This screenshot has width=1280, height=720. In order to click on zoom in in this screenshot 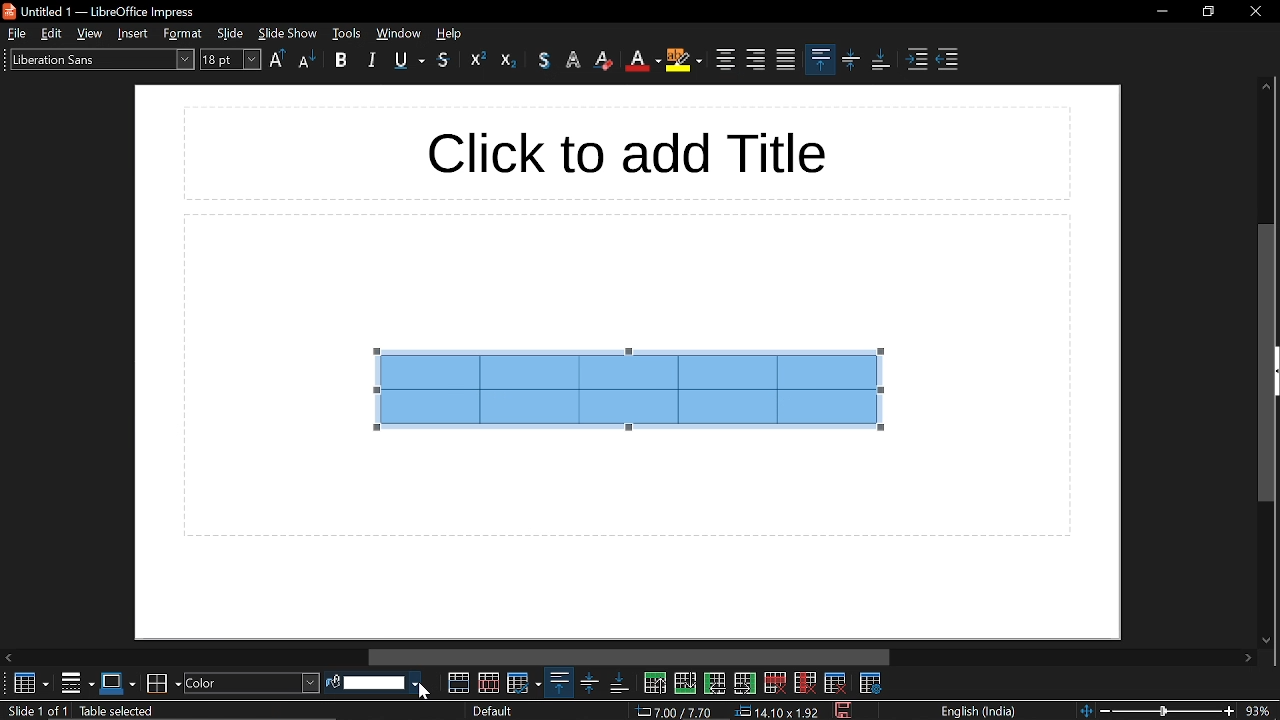, I will do `click(1230, 711)`.